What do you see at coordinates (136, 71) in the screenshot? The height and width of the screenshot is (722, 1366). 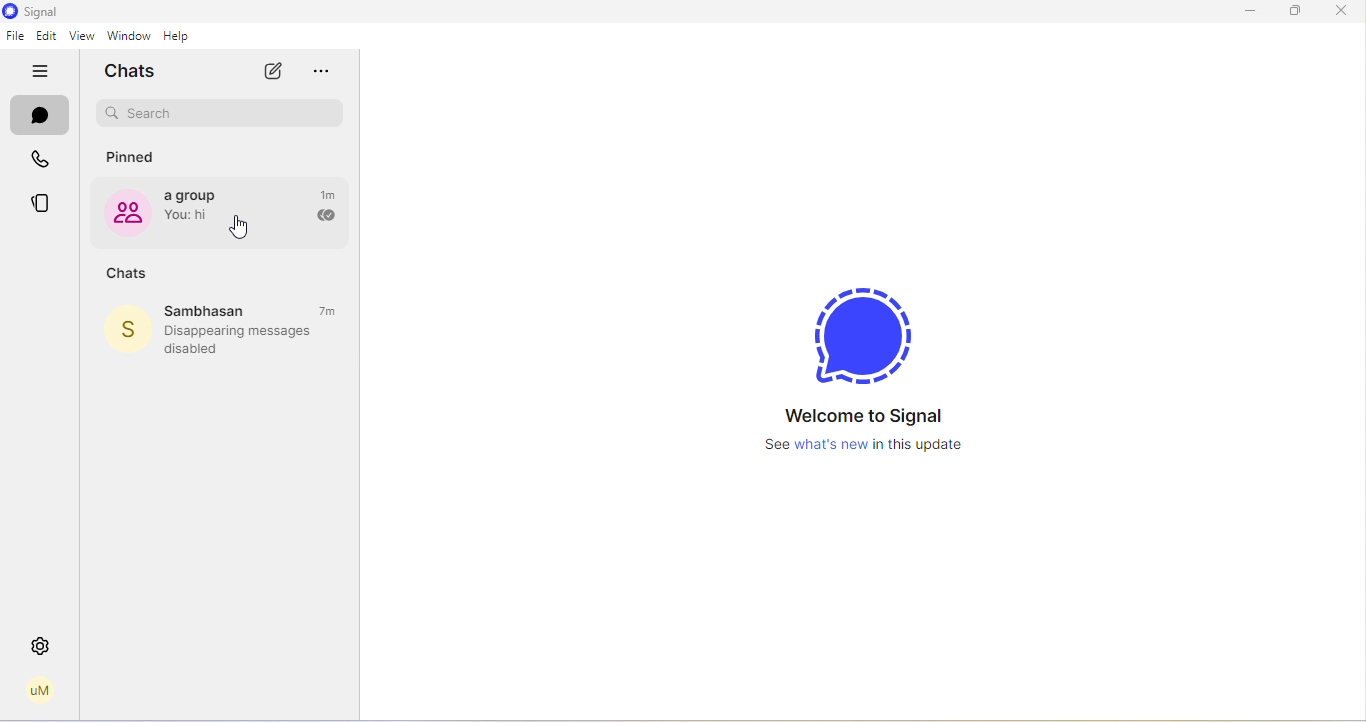 I see `chats` at bounding box center [136, 71].